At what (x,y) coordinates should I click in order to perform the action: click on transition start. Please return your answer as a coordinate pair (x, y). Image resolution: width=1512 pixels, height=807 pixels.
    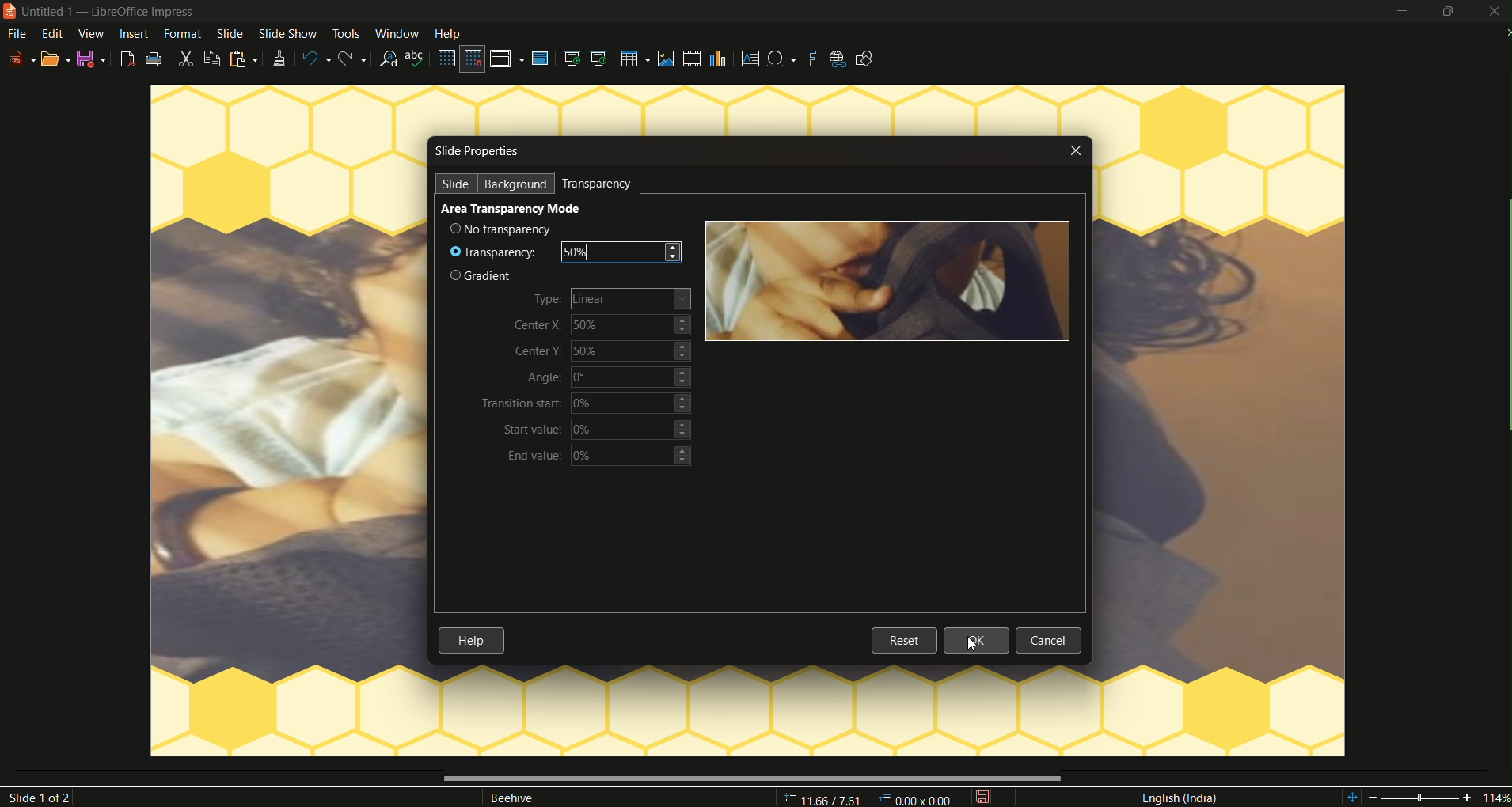
    Looking at the image, I should click on (522, 403).